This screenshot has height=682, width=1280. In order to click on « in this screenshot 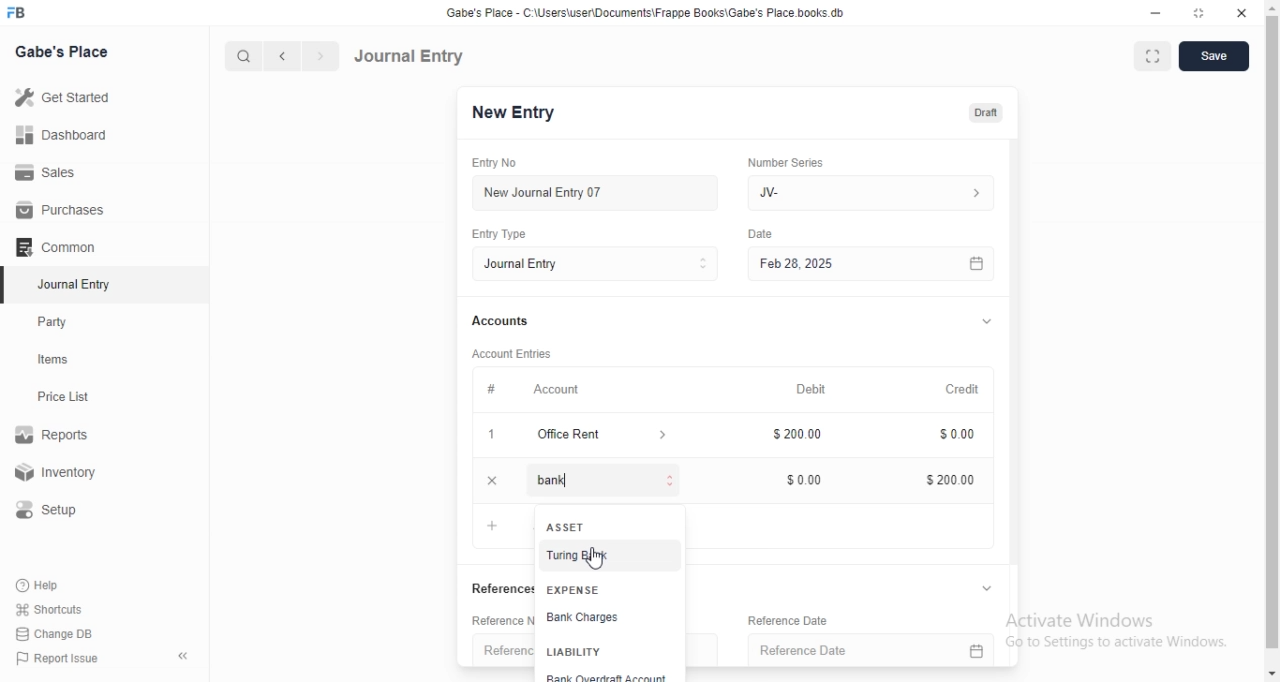, I will do `click(185, 657)`.